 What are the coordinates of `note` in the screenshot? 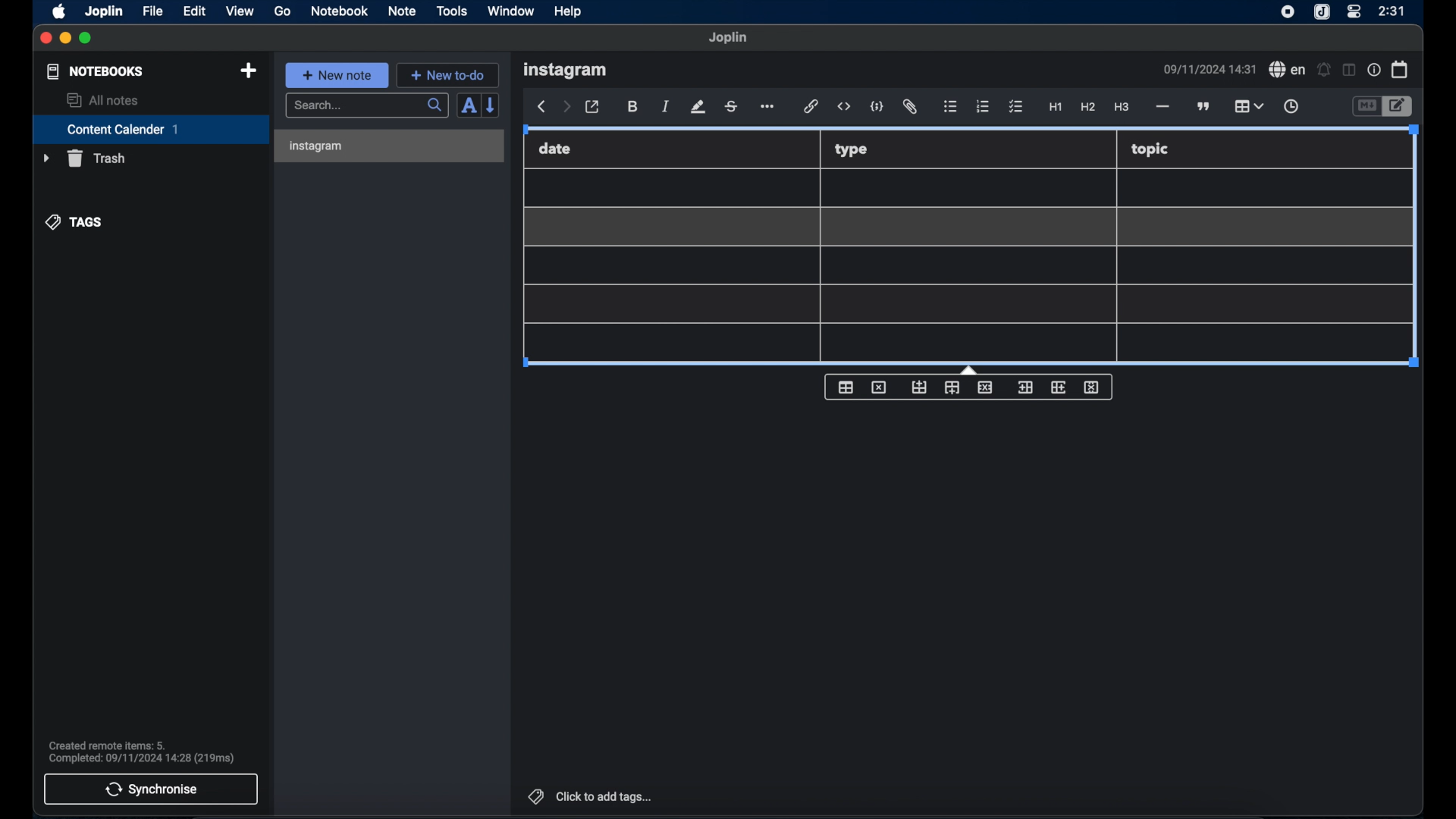 It's located at (402, 12).